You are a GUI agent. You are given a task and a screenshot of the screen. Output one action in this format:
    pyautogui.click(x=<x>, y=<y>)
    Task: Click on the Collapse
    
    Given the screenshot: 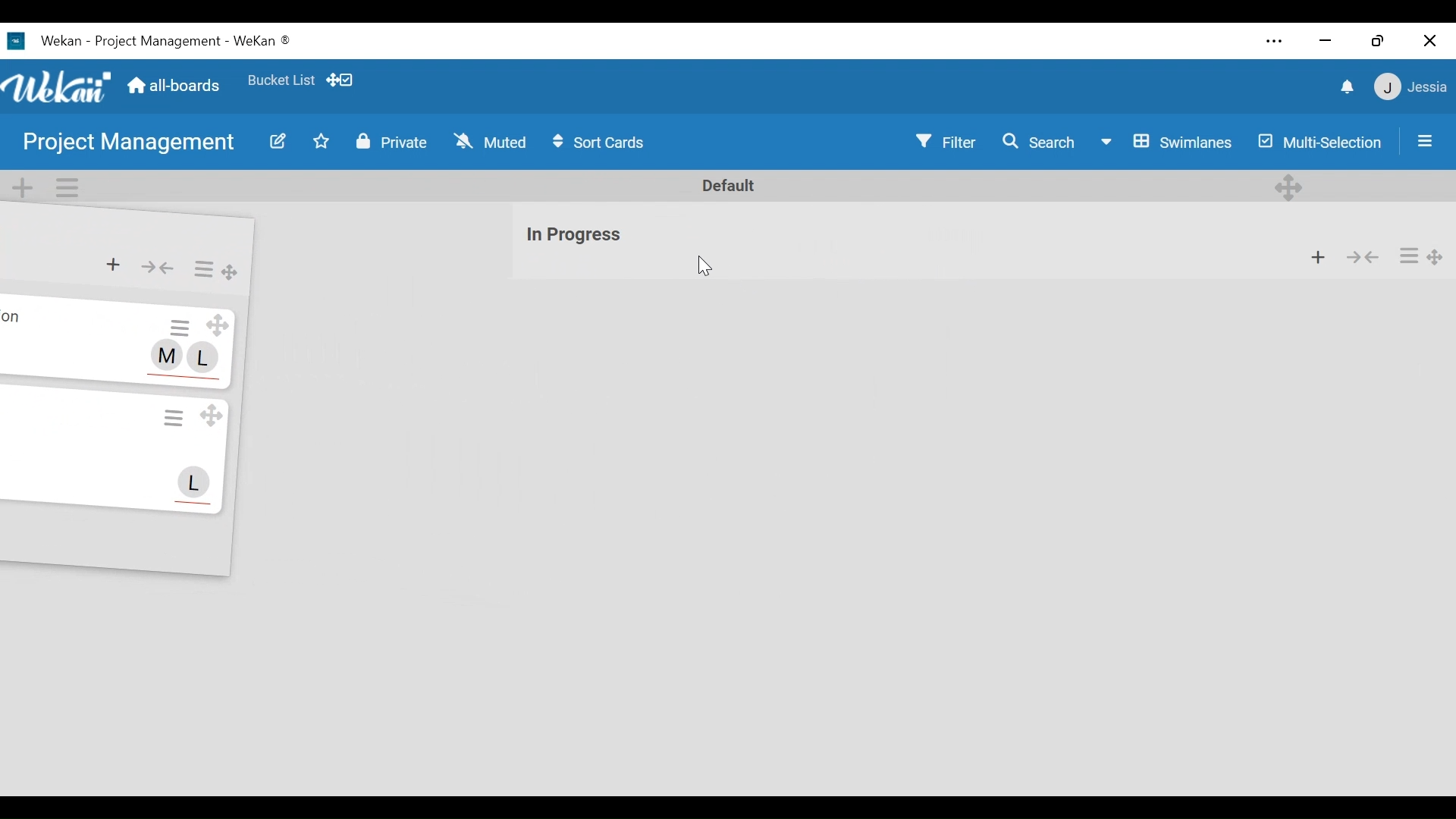 What is the action you would take?
    pyautogui.click(x=158, y=266)
    